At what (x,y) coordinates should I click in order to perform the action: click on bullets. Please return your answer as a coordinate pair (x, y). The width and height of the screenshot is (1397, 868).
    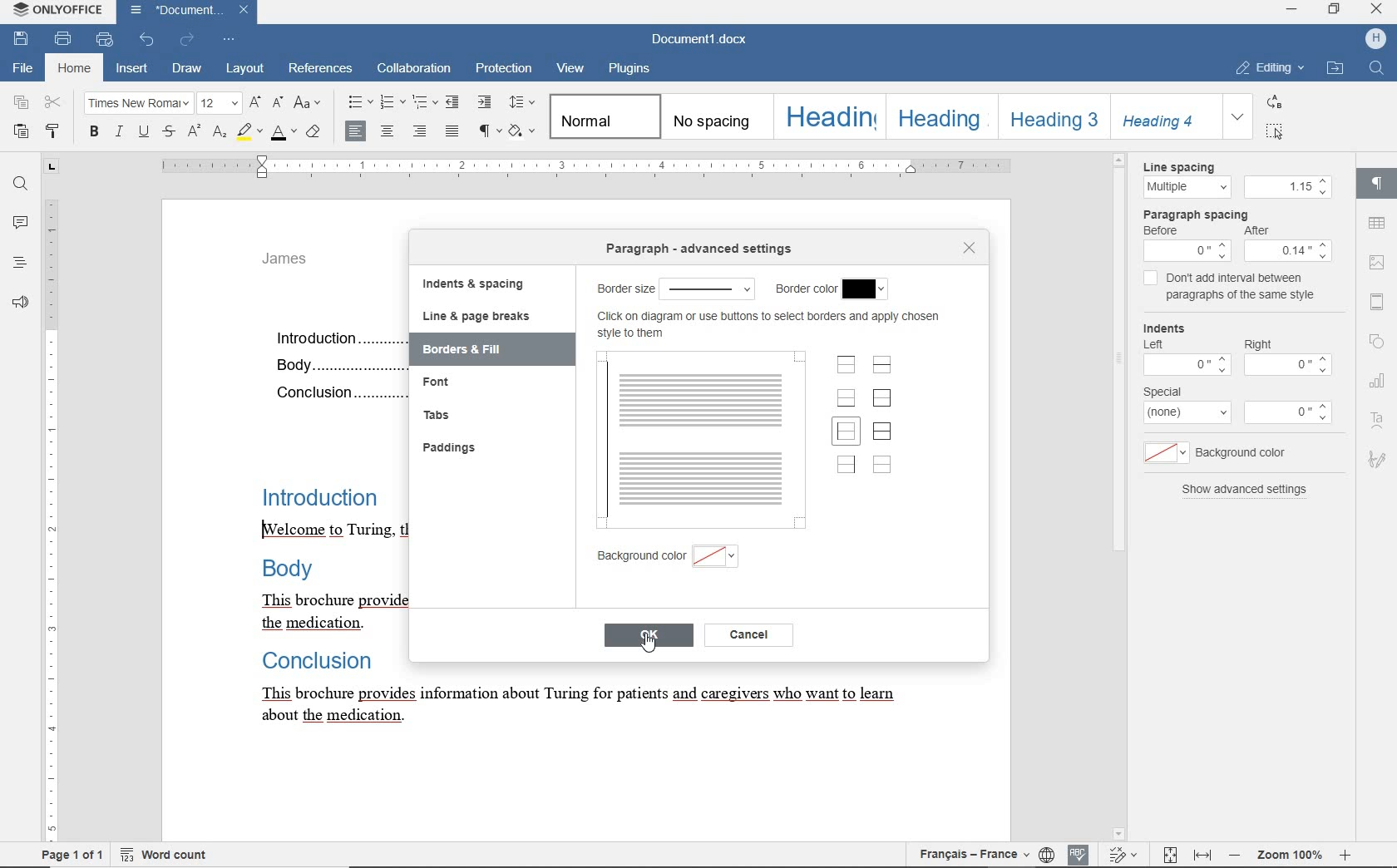
    Looking at the image, I should click on (360, 102).